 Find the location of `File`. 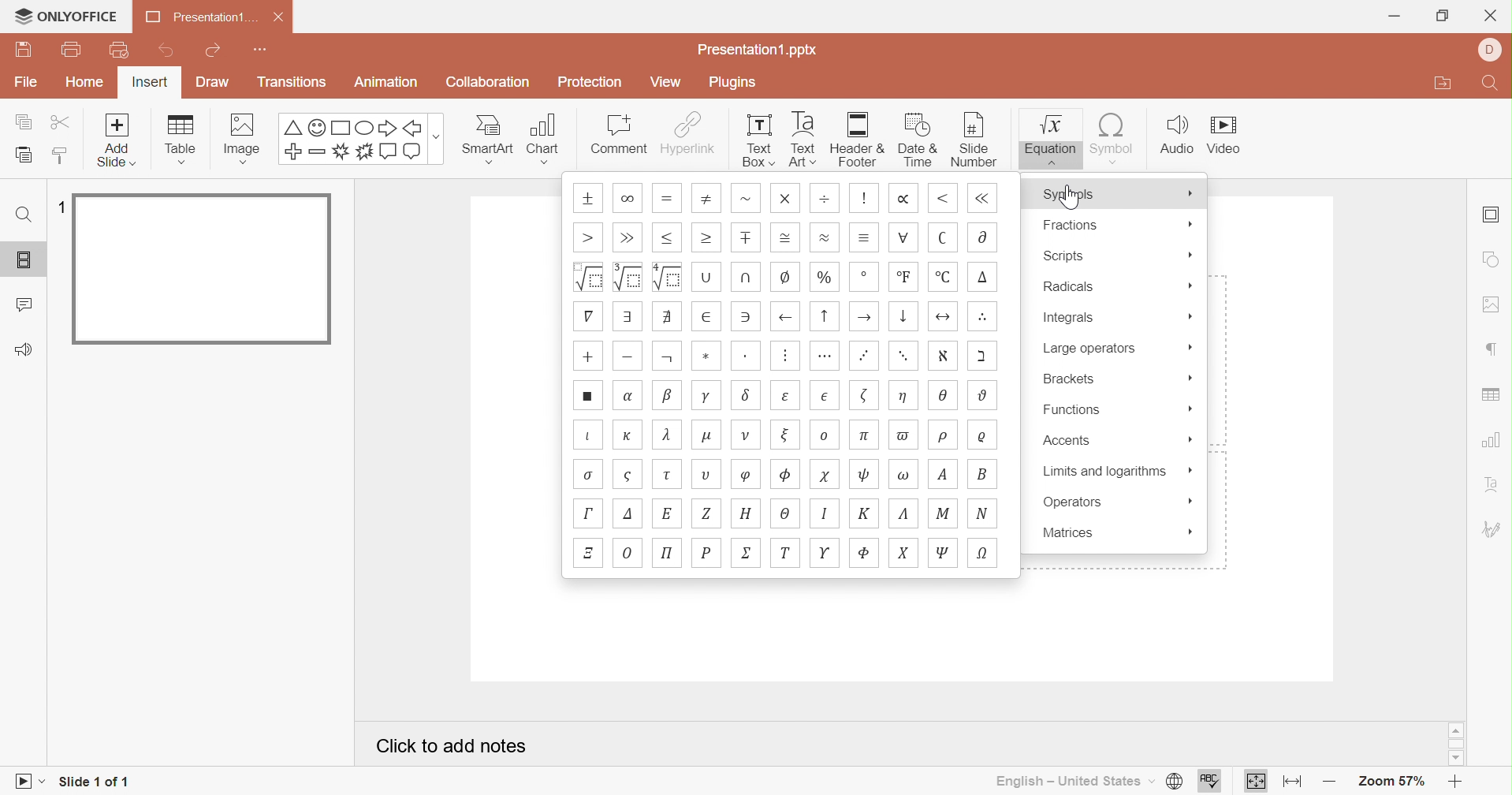

File is located at coordinates (28, 84).